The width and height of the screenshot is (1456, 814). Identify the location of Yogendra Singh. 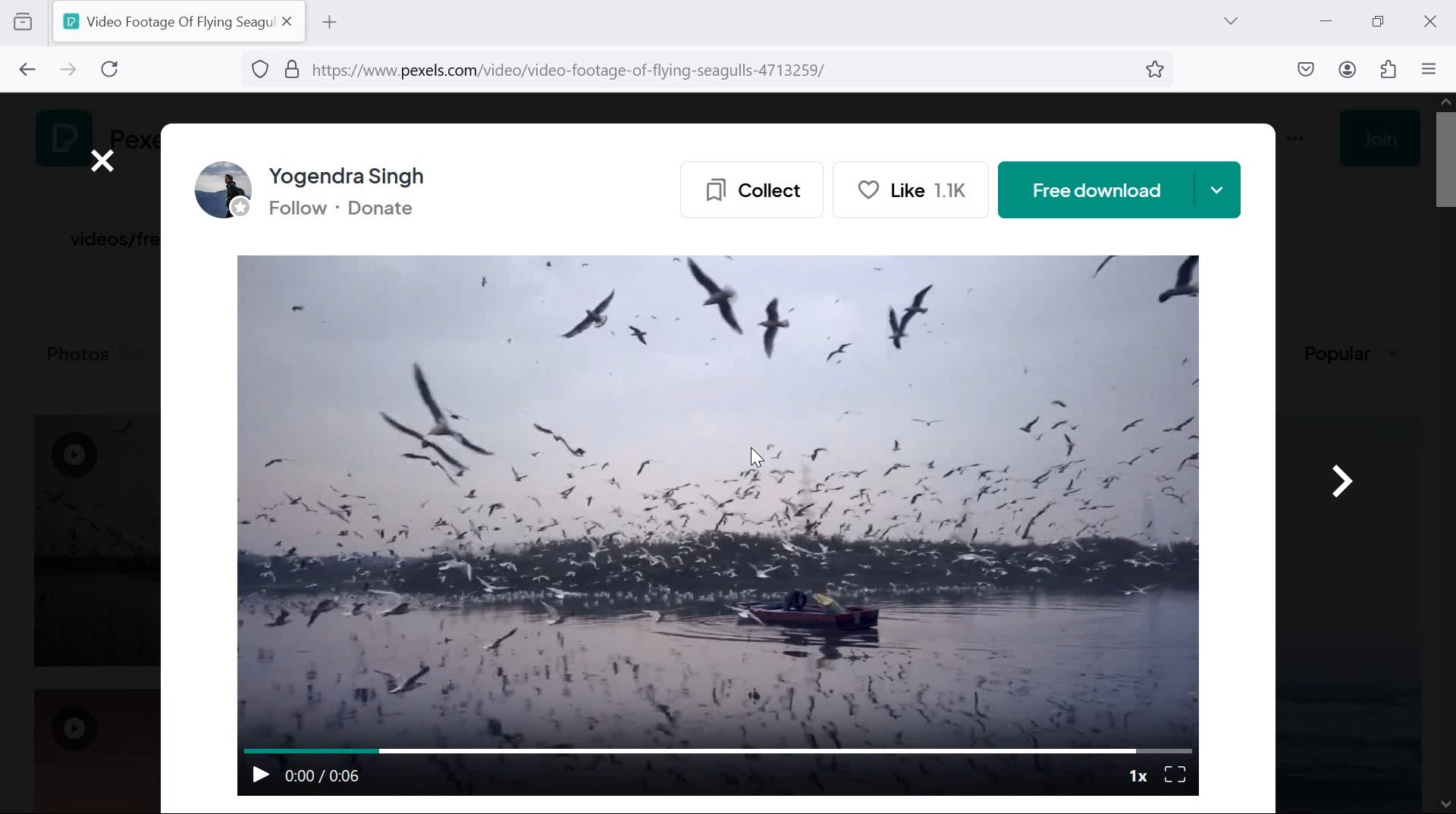
(358, 175).